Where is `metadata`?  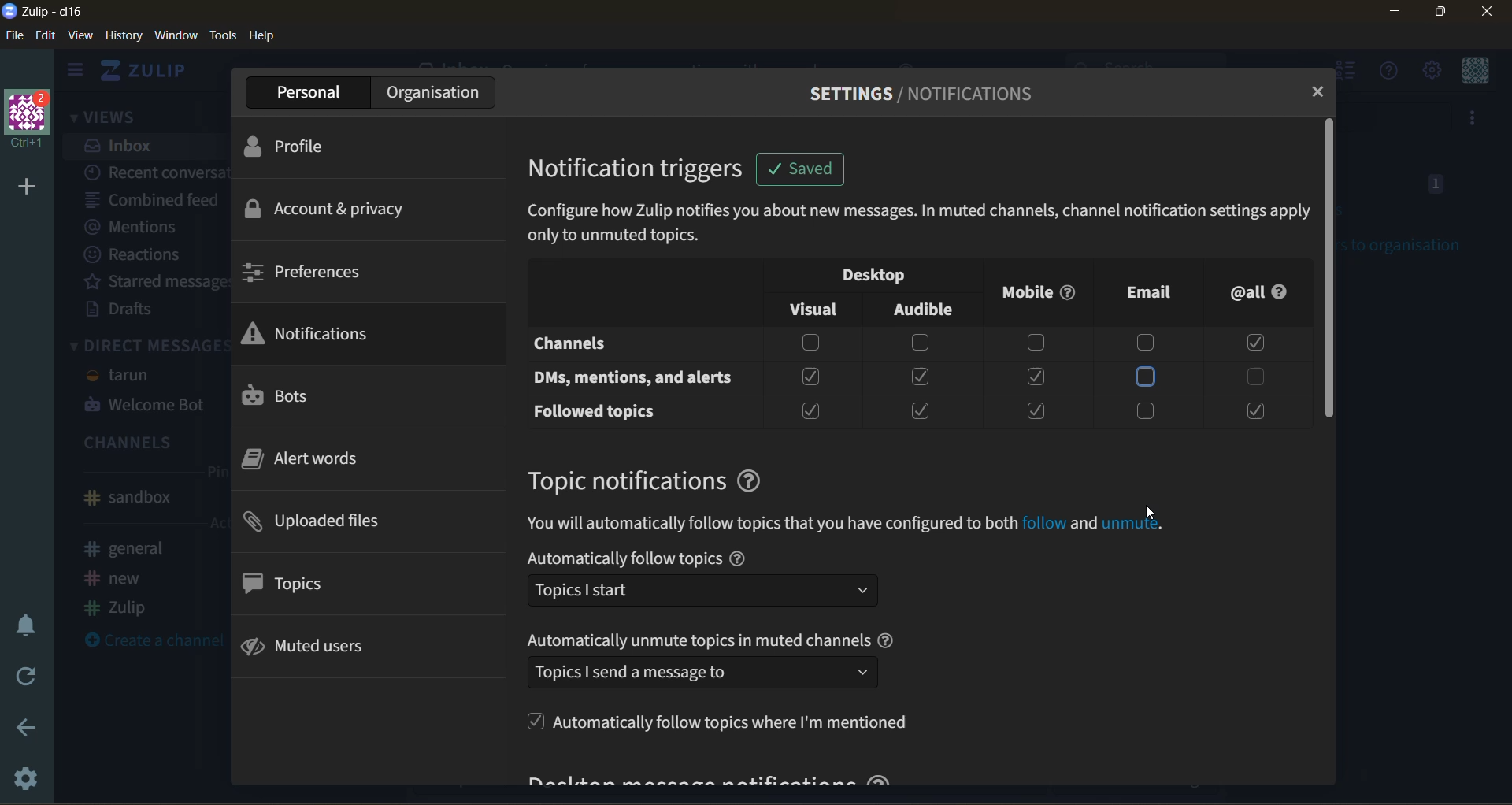
metadata is located at coordinates (919, 225).